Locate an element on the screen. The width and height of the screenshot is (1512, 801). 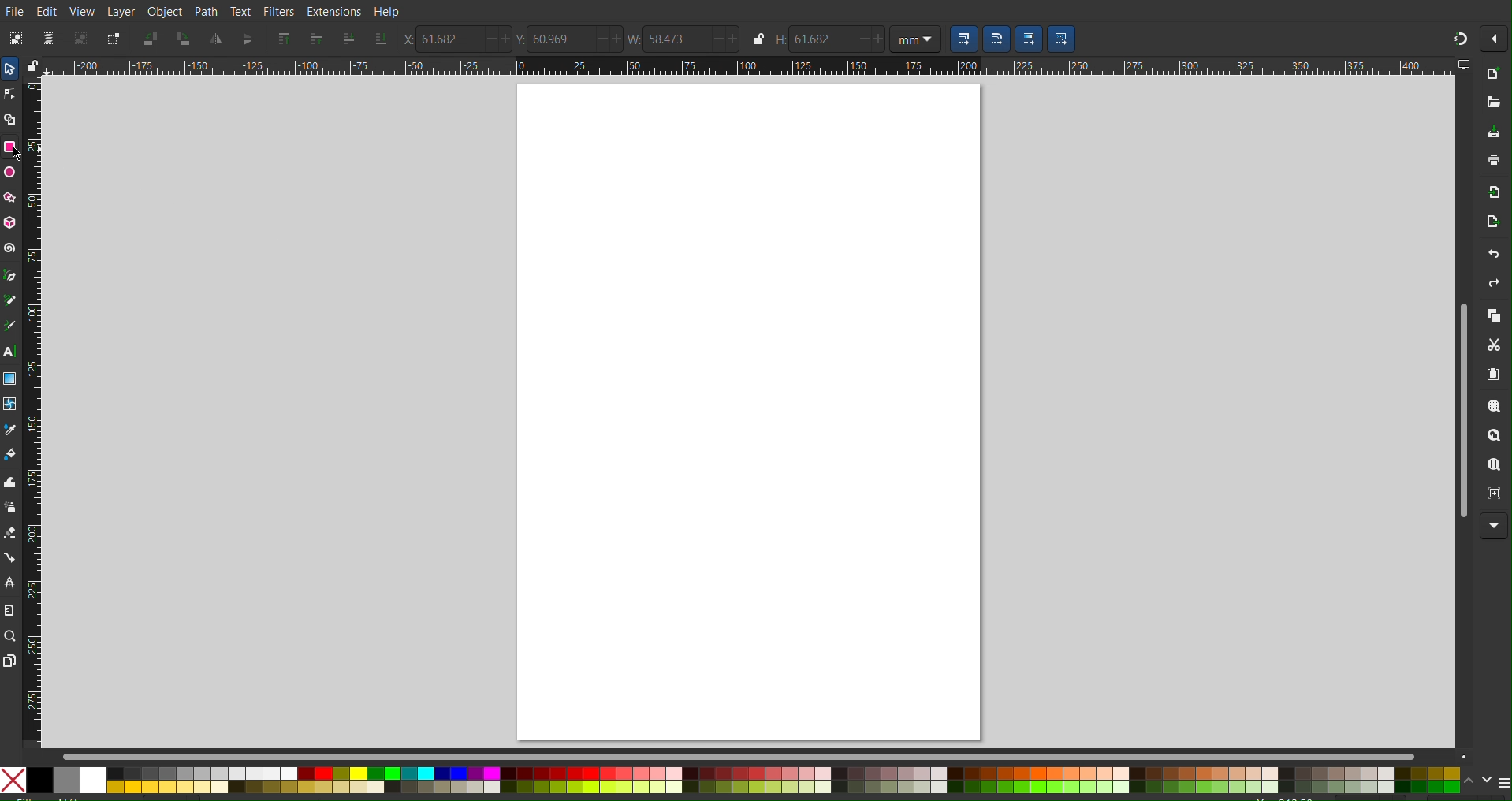
Mesh tool is located at coordinates (10, 404).